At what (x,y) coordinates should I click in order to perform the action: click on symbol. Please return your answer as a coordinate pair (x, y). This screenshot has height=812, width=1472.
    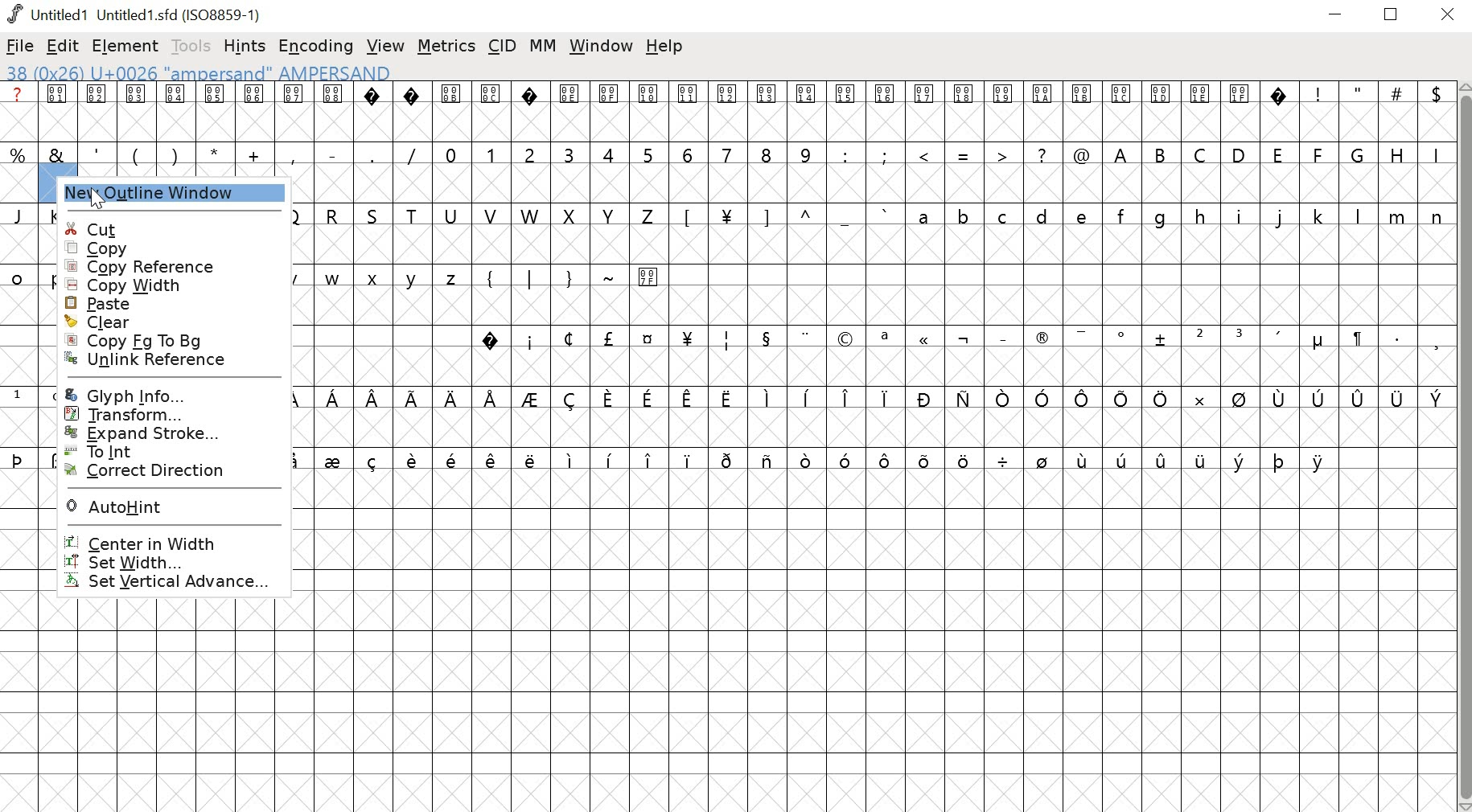
    Looking at the image, I should click on (454, 459).